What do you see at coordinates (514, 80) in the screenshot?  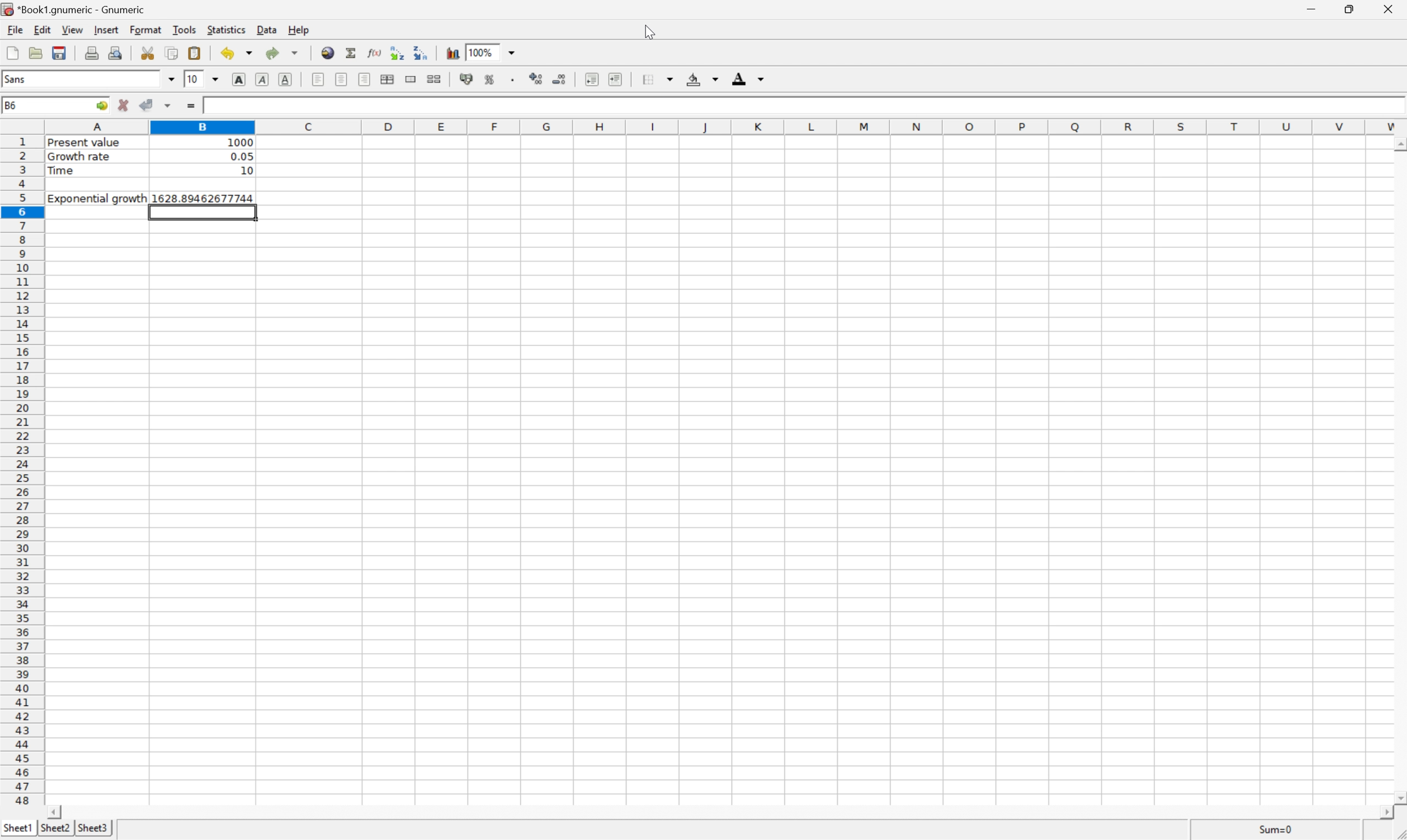 I see `Set the format of the selected cells to include a thousands separator` at bounding box center [514, 80].